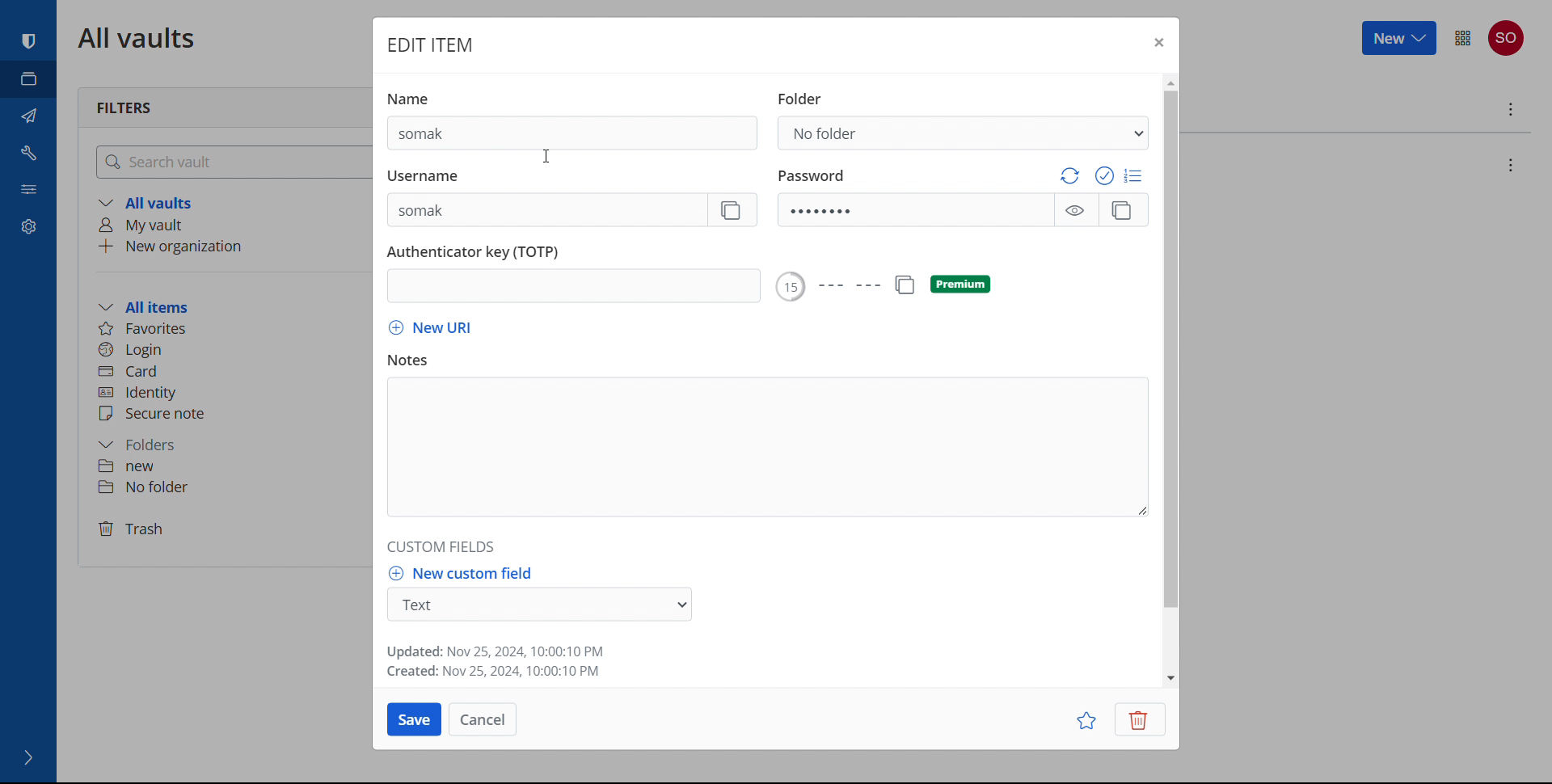 This screenshot has height=784, width=1552. What do you see at coordinates (443, 548) in the screenshot?
I see `custom  fields` at bounding box center [443, 548].